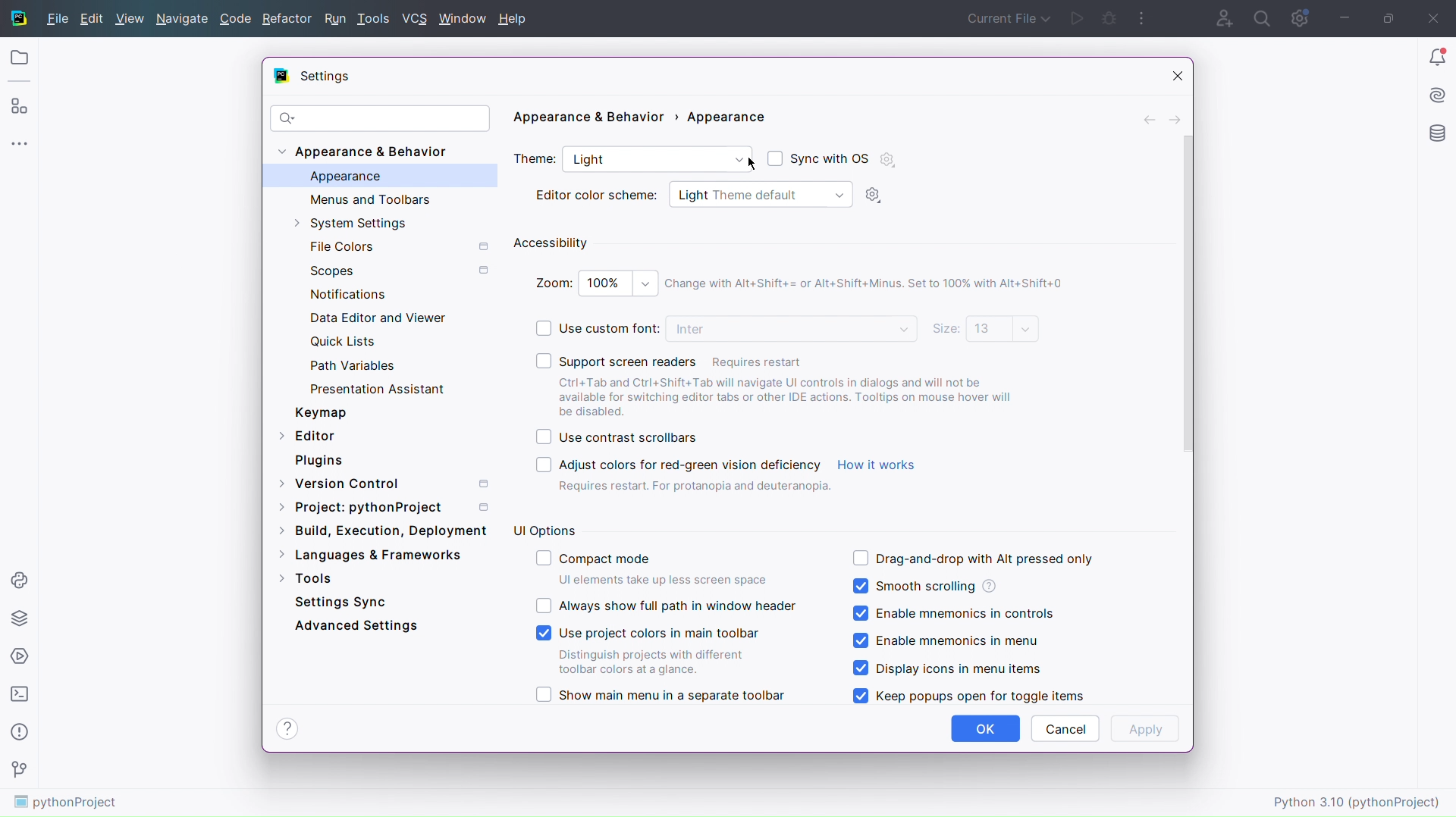 The width and height of the screenshot is (1456, 817). I want to click on Scopes, so click(396, 271).